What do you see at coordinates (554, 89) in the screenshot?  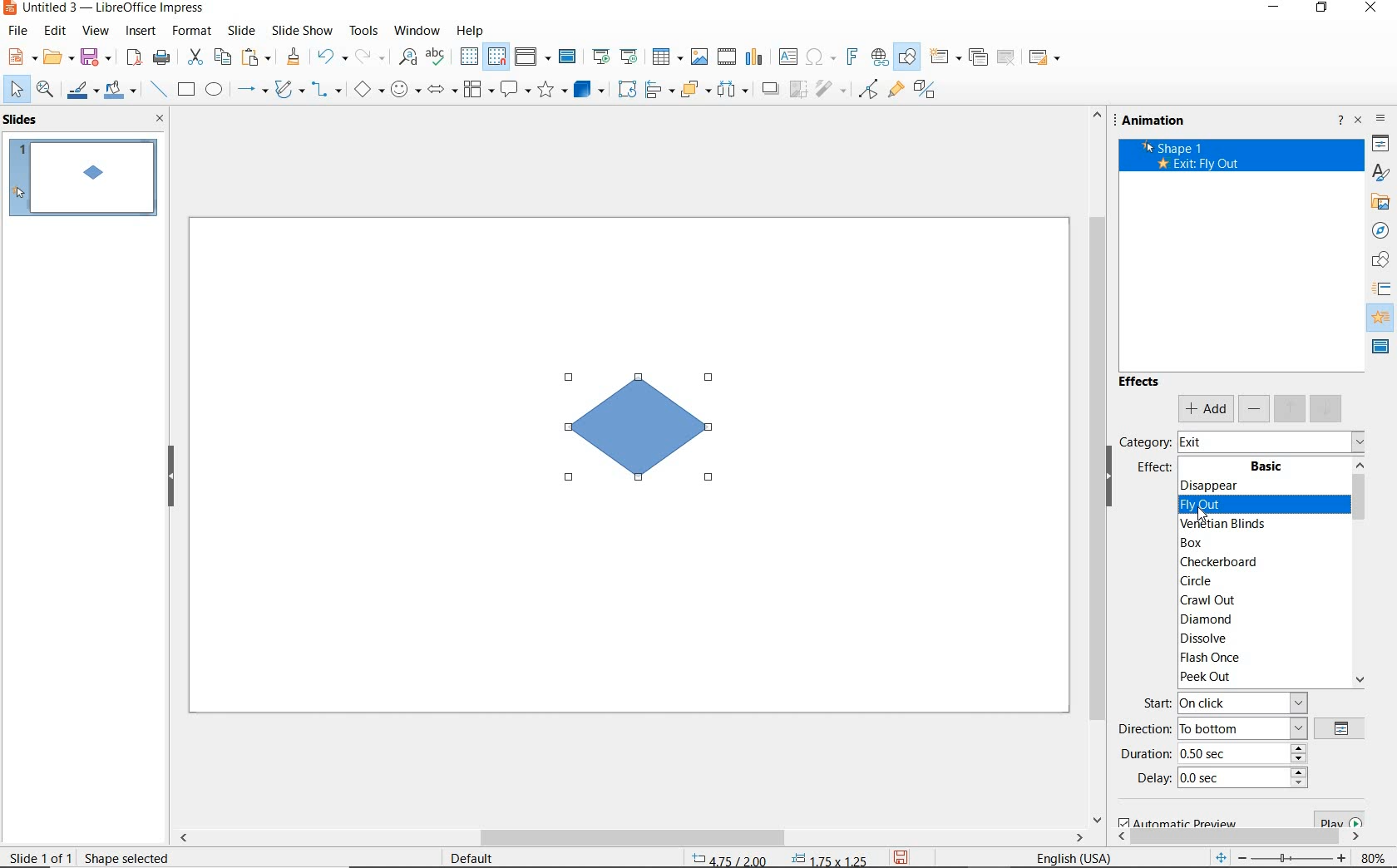 I see `stars and banners` at bounding box center [554, 89].